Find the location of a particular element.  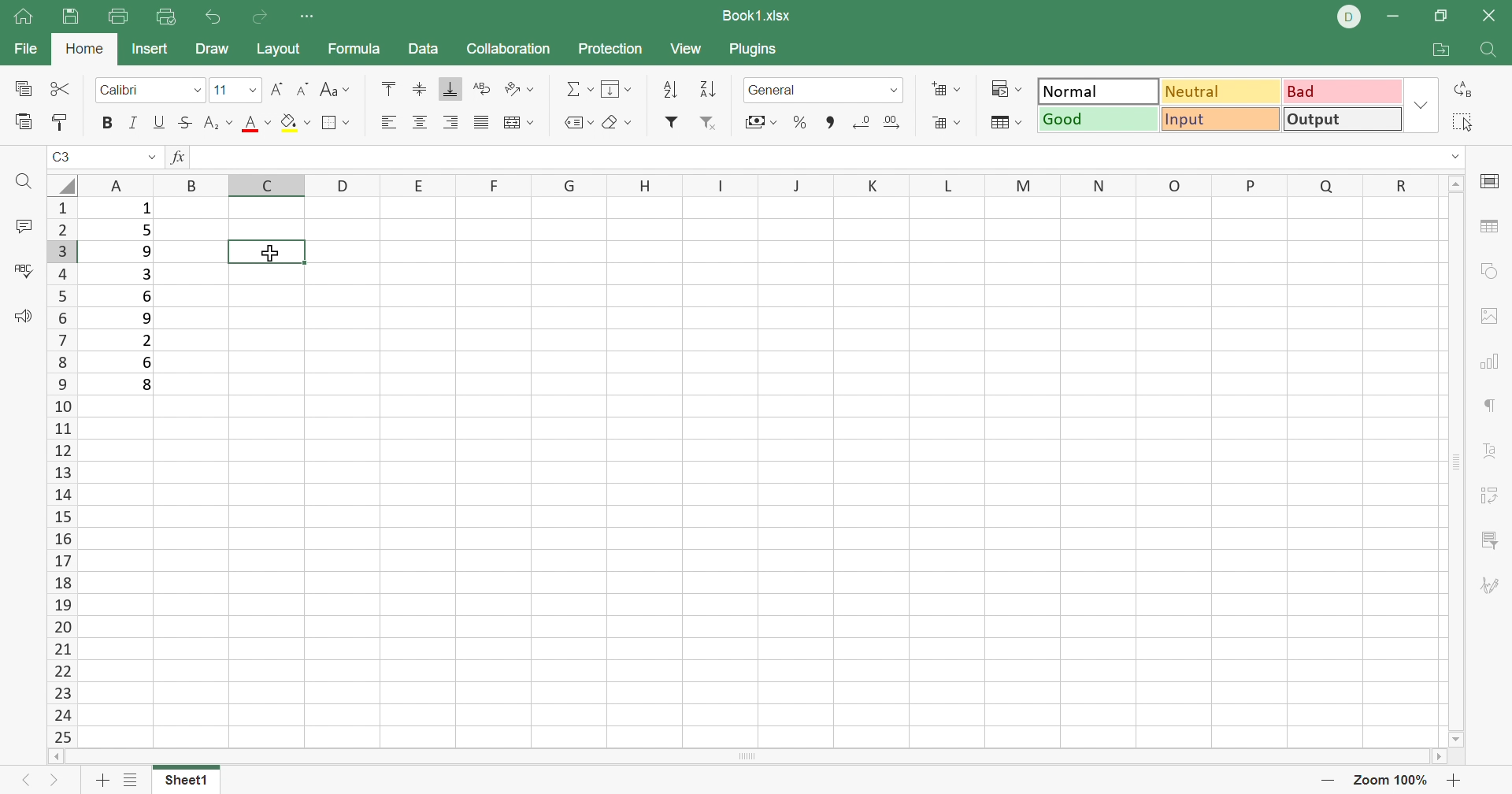

C3 is located at coordinates (65, 158).